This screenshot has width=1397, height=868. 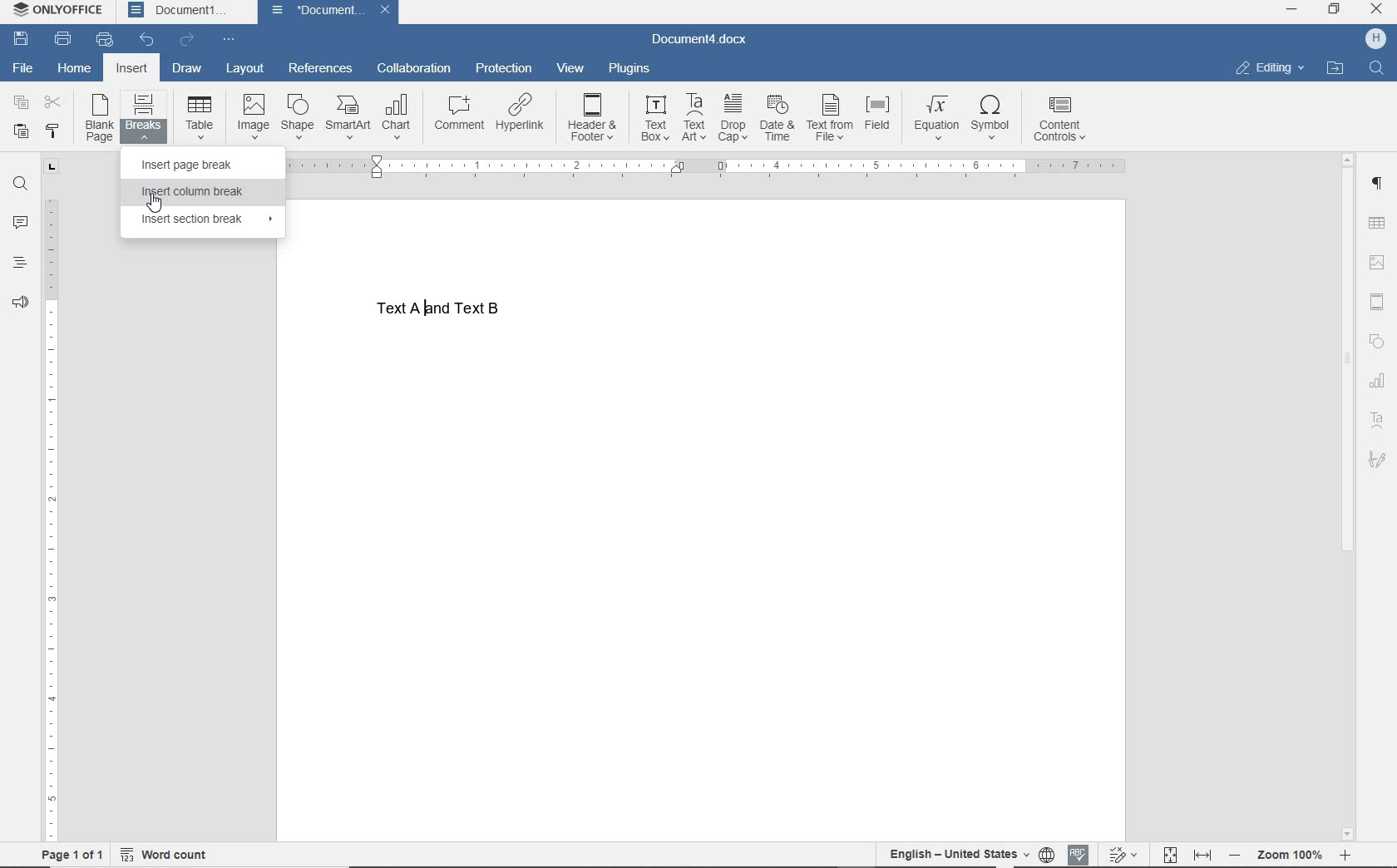 I want to click on EQUATION, so click(x=935, y=117).